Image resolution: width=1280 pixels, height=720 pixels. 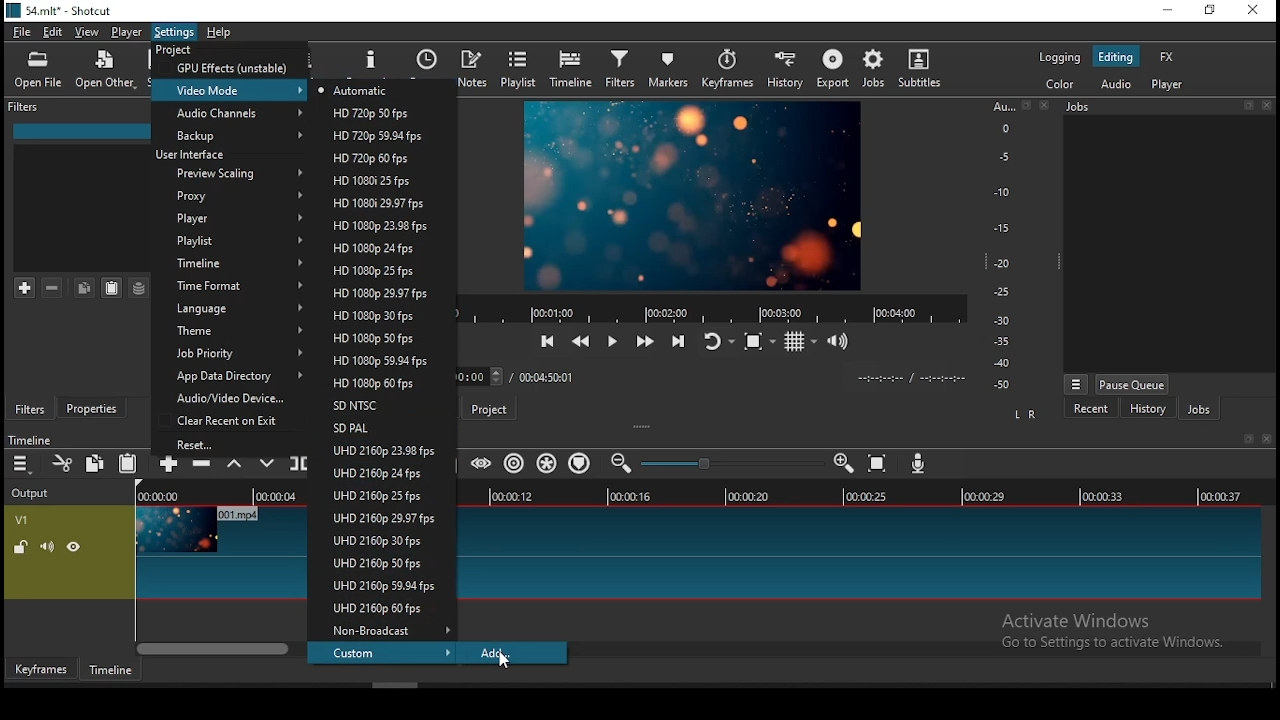 I want to click on timeline menu, so click(x=24, y=464).